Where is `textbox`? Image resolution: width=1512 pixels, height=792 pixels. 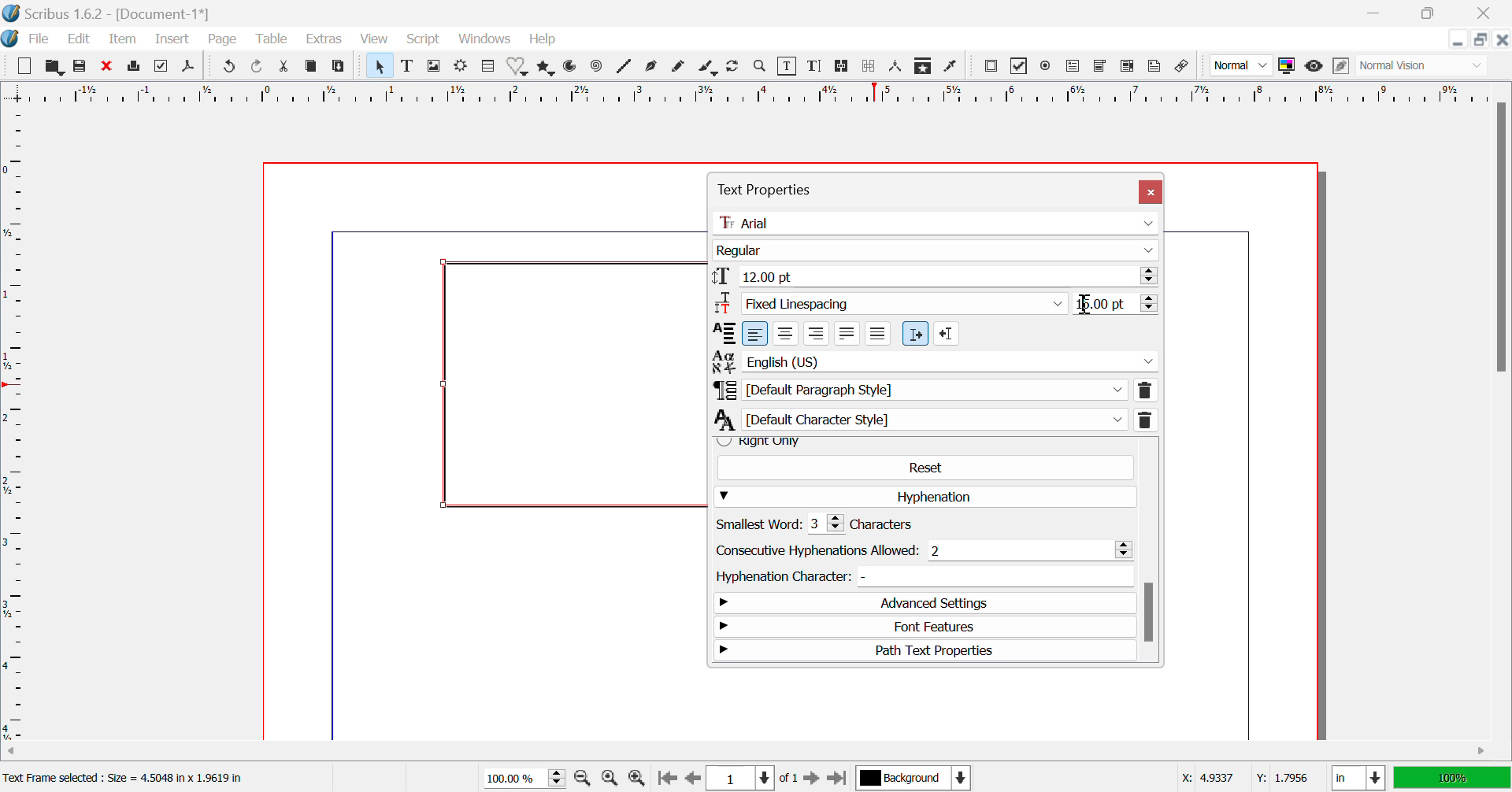 textbox is located at coordinates (573, 383).